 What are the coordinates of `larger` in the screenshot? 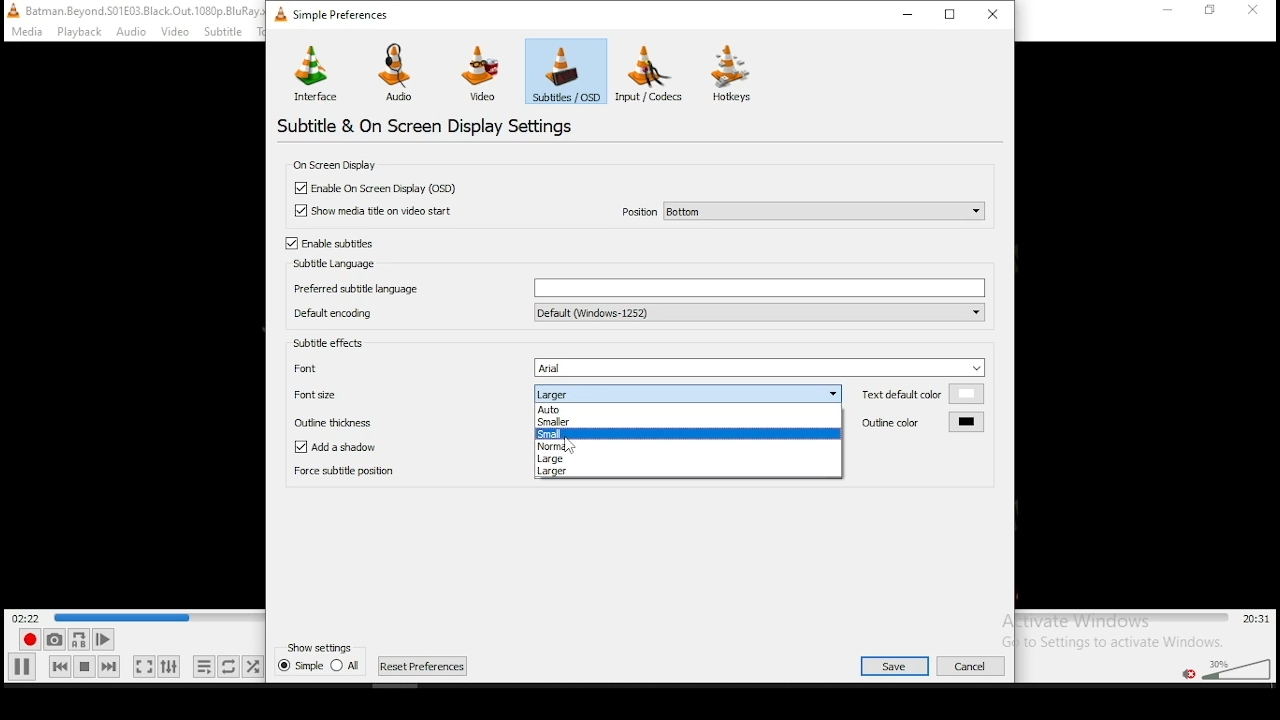 It's located at (686, 471).